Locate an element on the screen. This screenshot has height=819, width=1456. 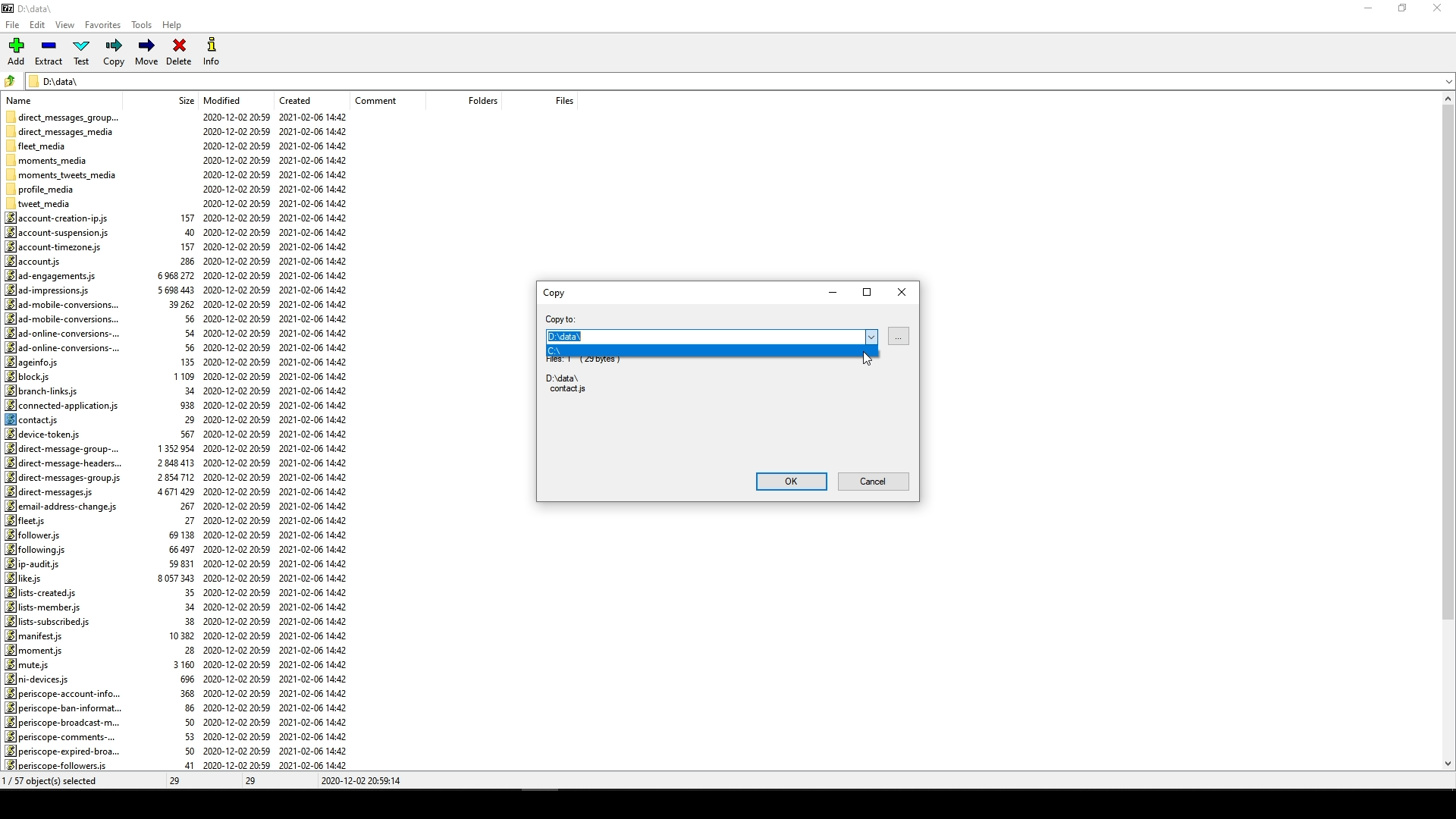
tweet_media is located at coordinates (47, 203).